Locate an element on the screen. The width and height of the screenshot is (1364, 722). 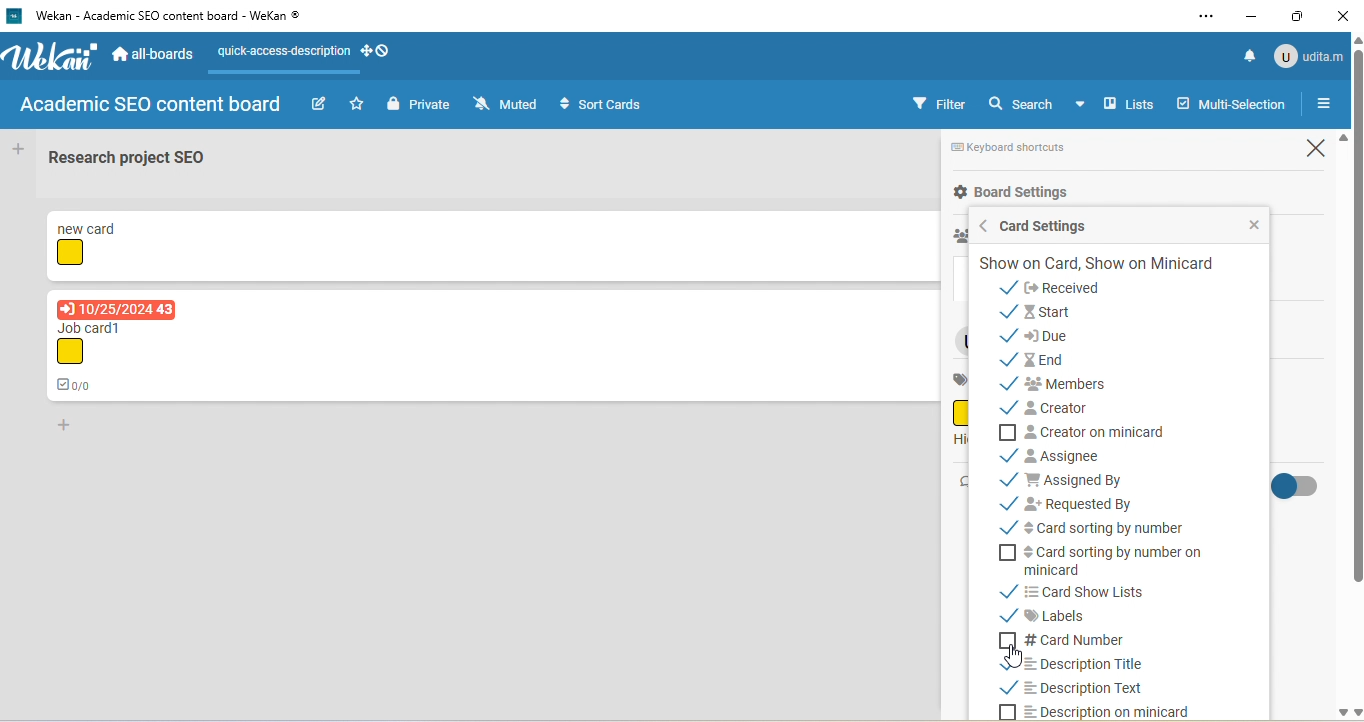
star this board is located at coordinates (357, 104).